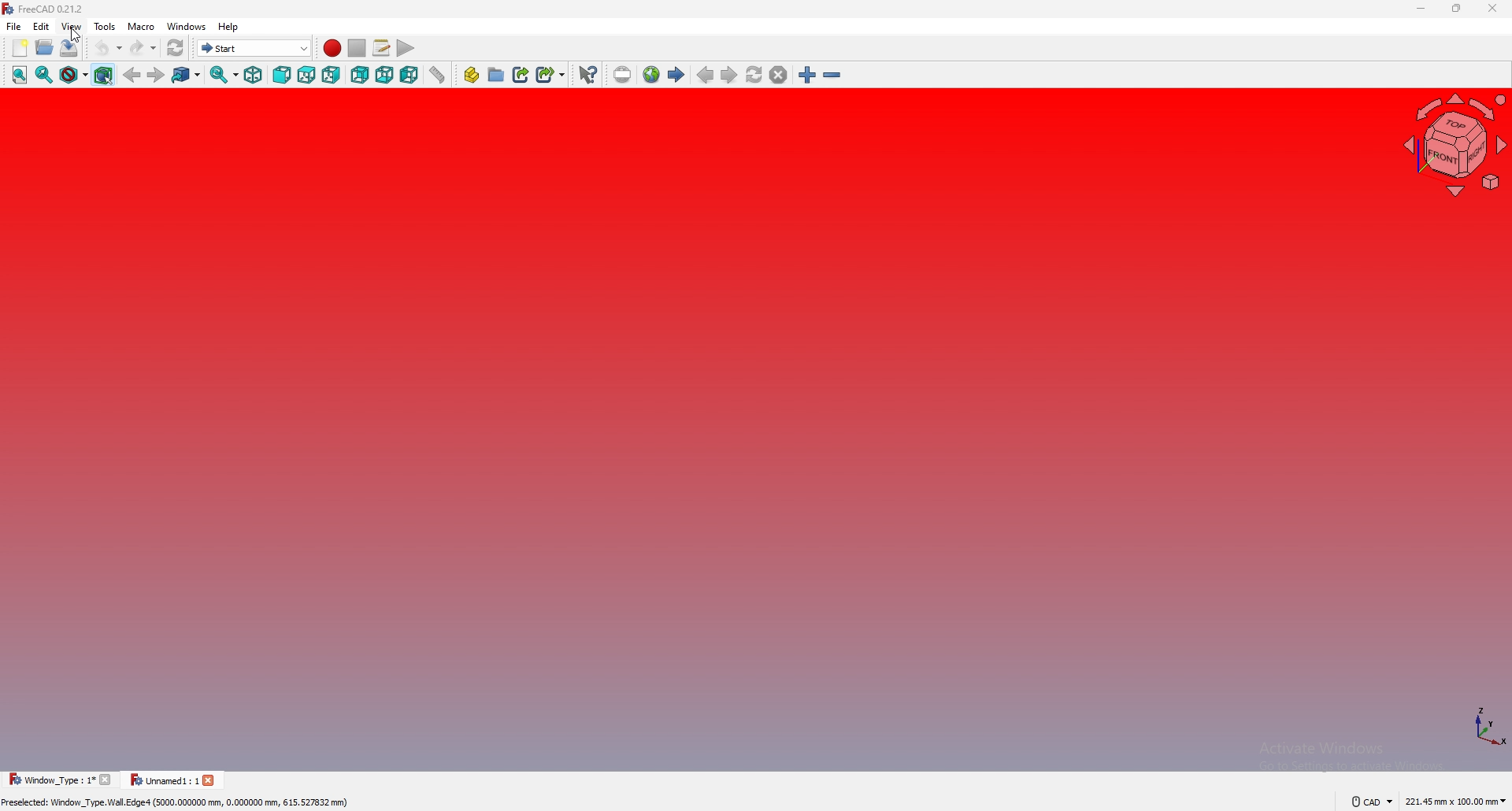 Image resolution: width=1512 pixels, height=811 pixels. I want to click on rear, so click(361, 76).